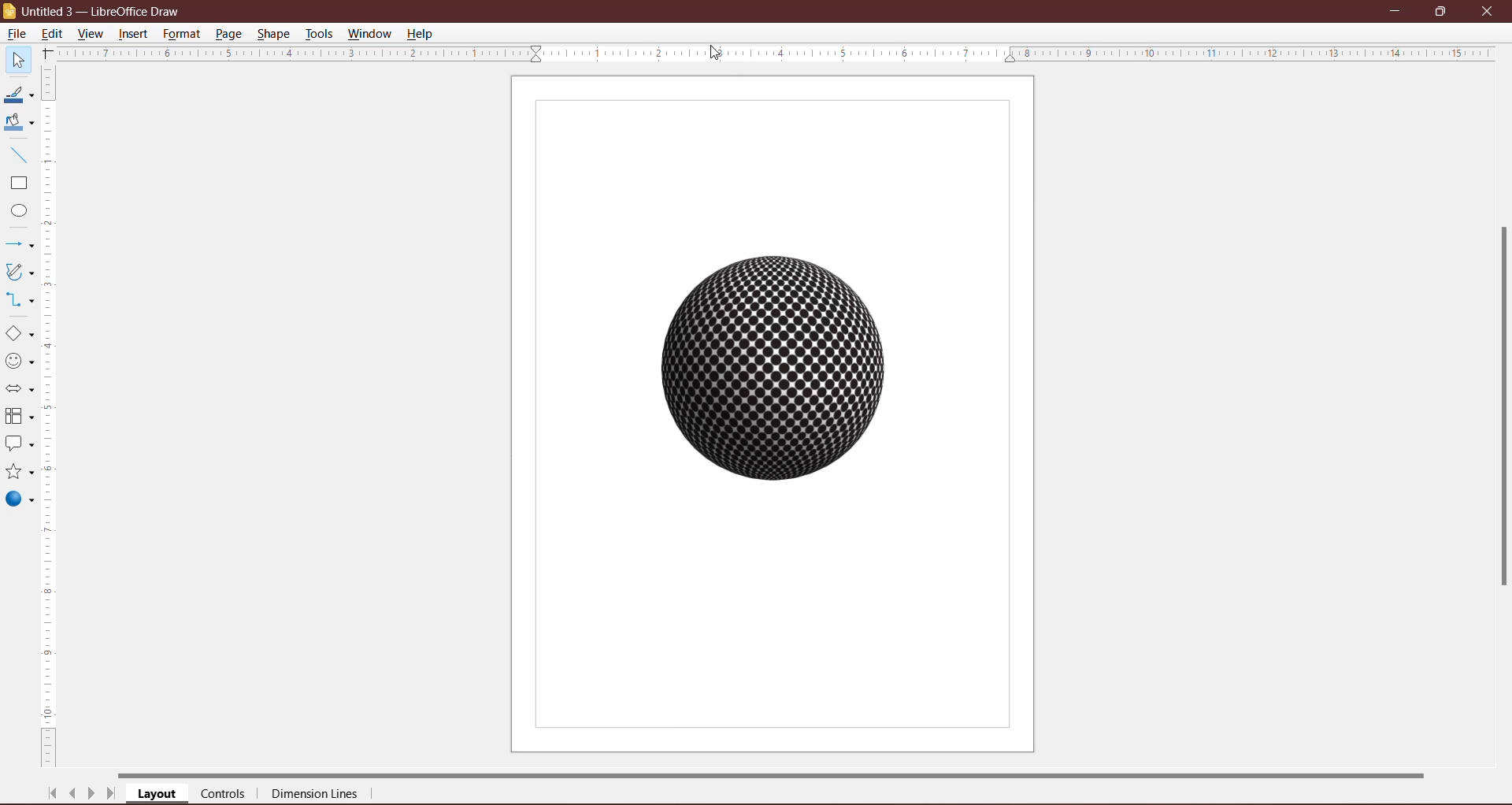 Image resolution: width=1512 pixels, height=805 pixels. Describe the element at coordinates (19, 501) in the screenshot. I see `3D objects` at that location.